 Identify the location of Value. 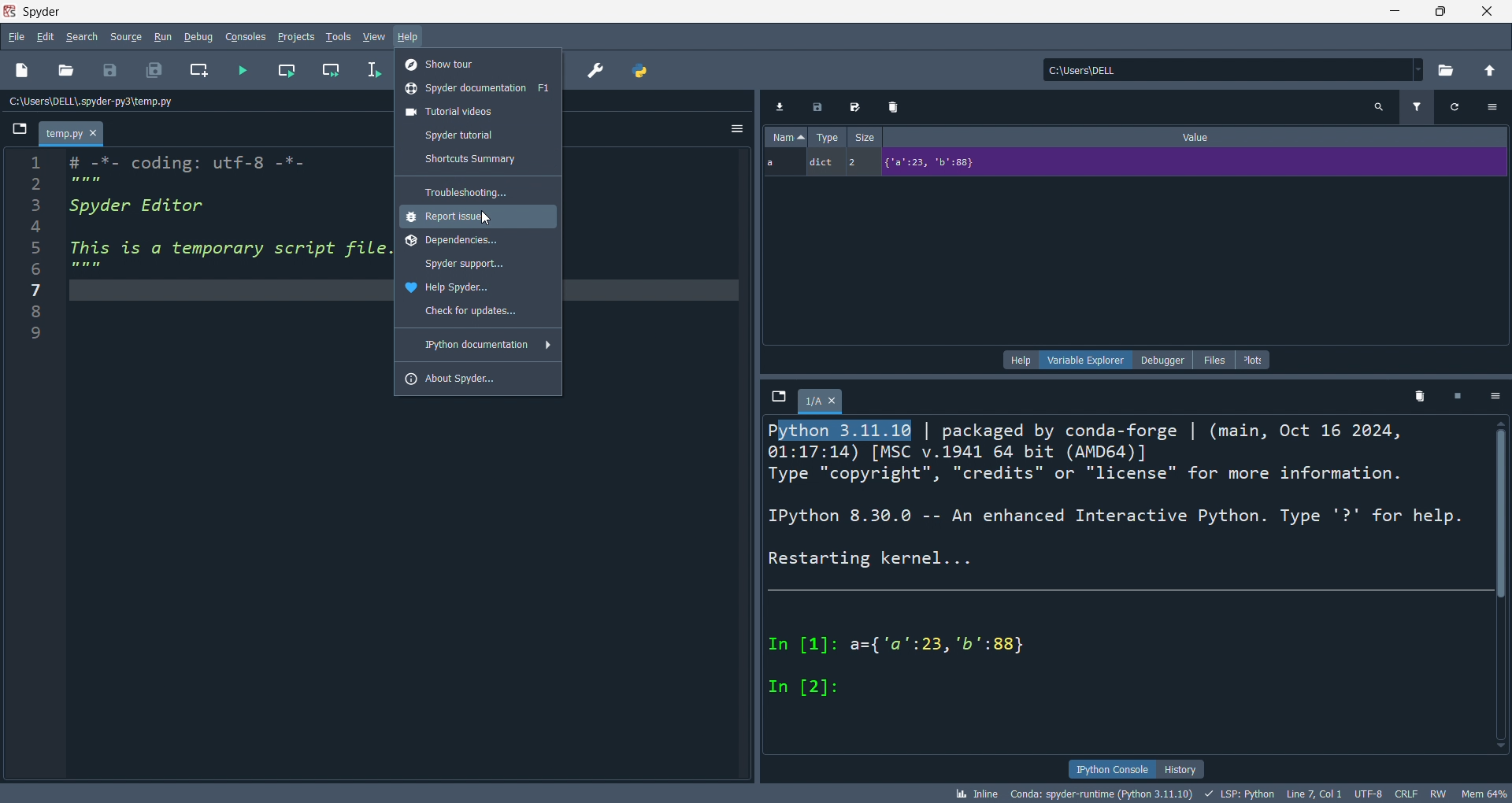
(1195, 137).